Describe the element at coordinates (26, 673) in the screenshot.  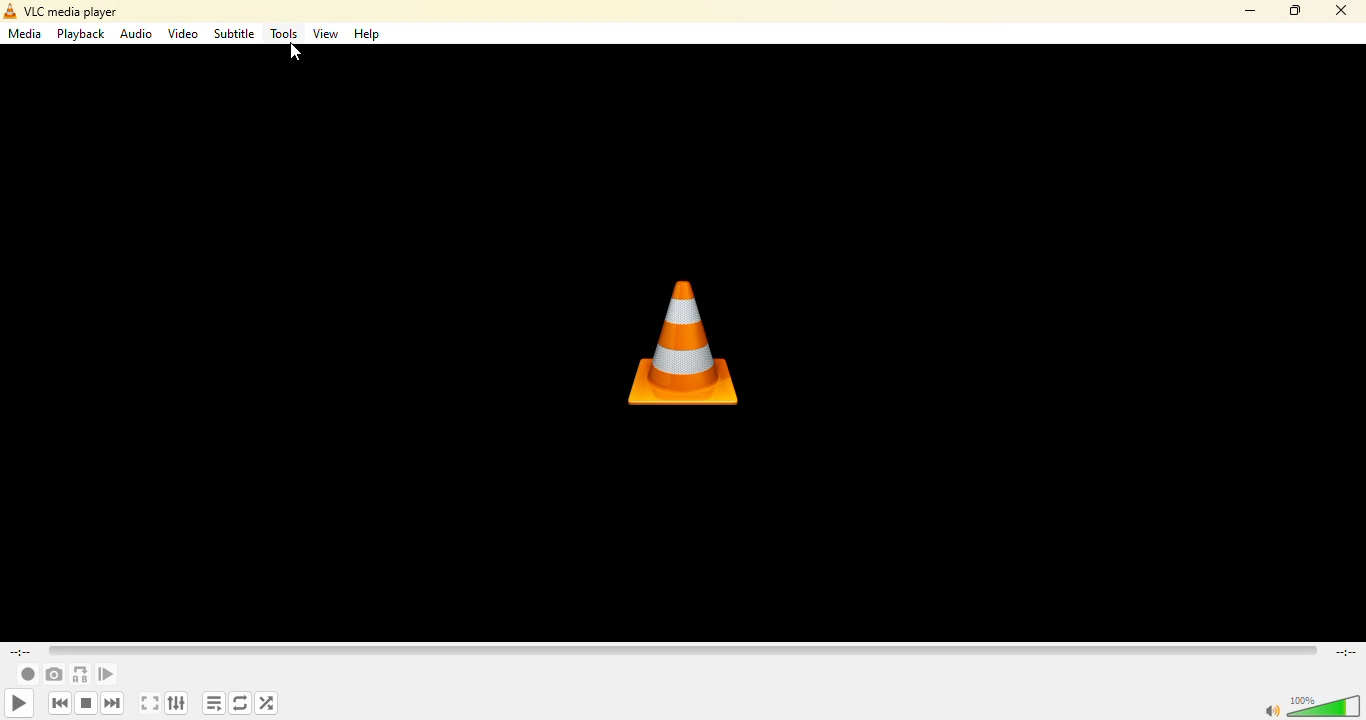
I see `record` at that location.